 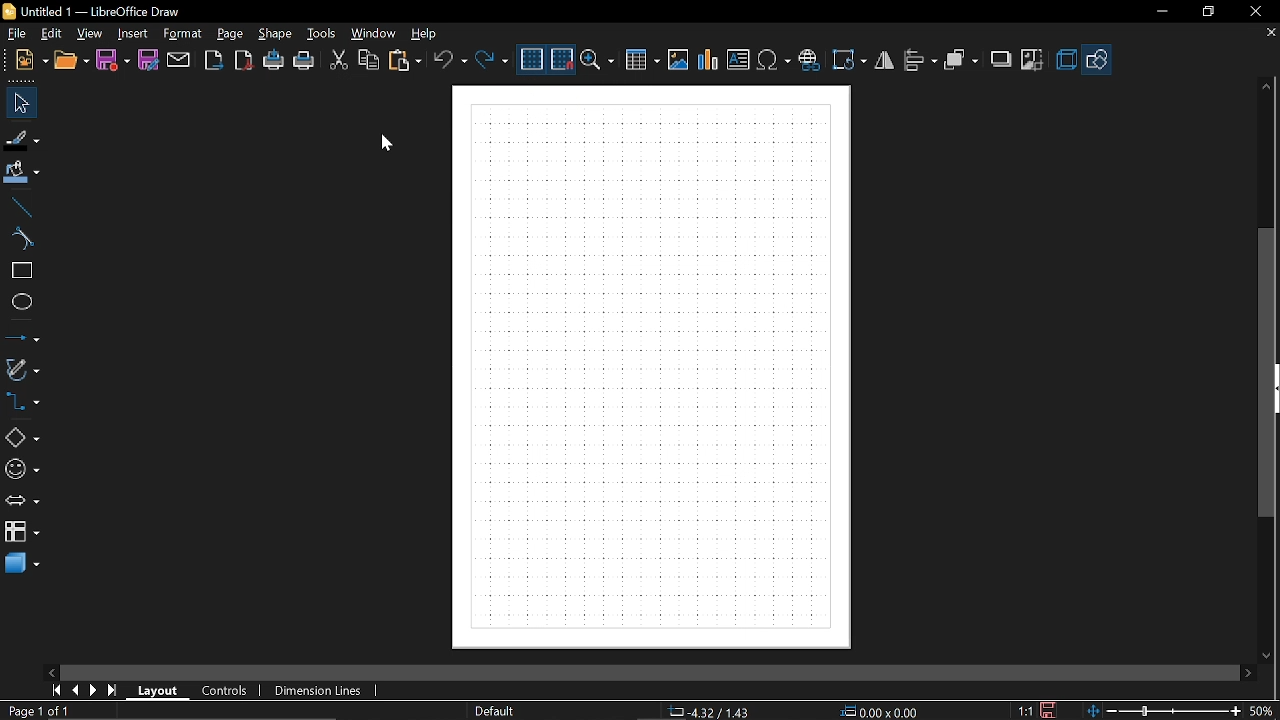 I want to click on Select, so click(x=18, y=103).